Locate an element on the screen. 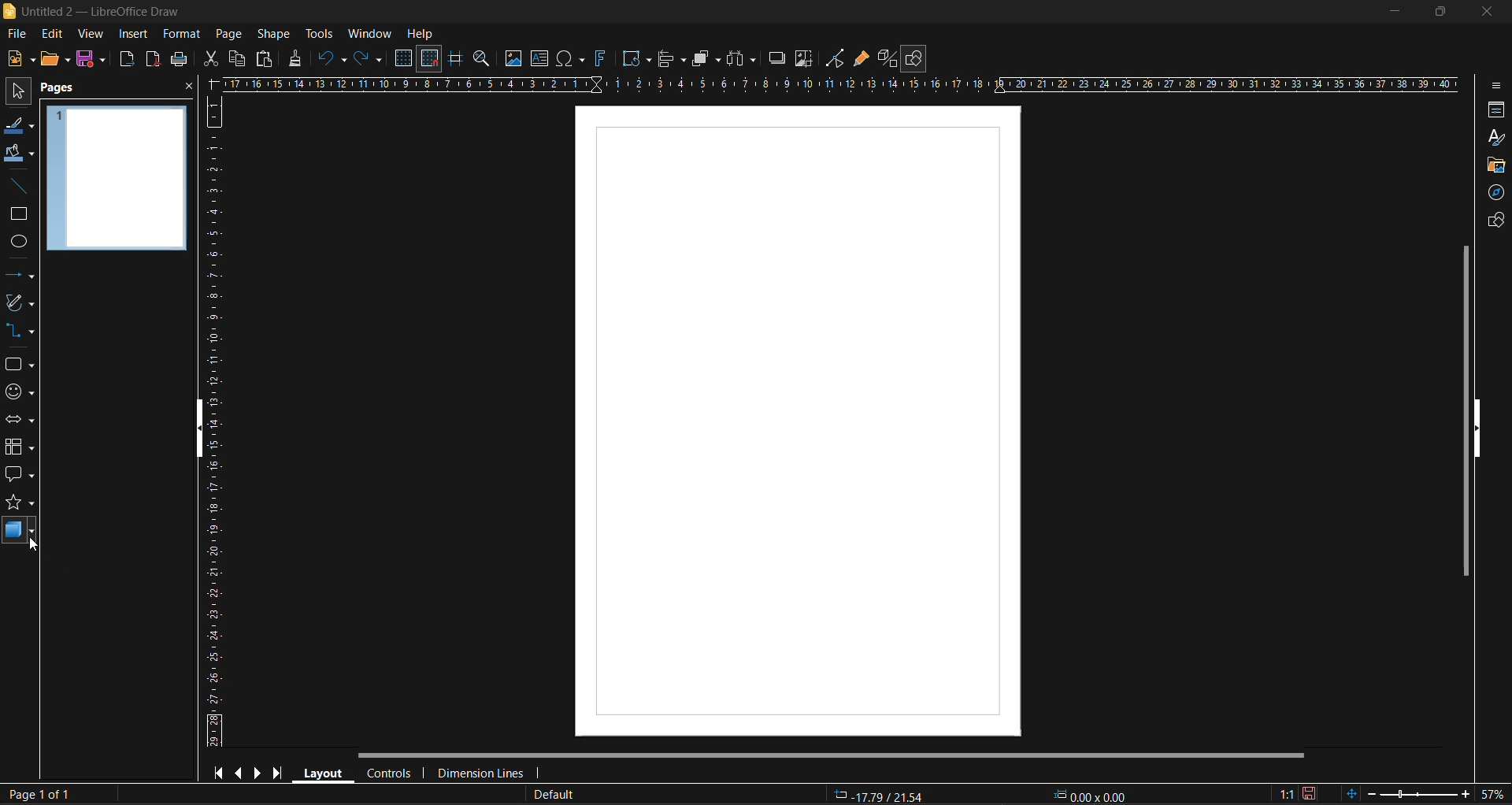 Image resolution: width=1512 pixels, height=805 pixels. select is located at coordinates (14, 94).